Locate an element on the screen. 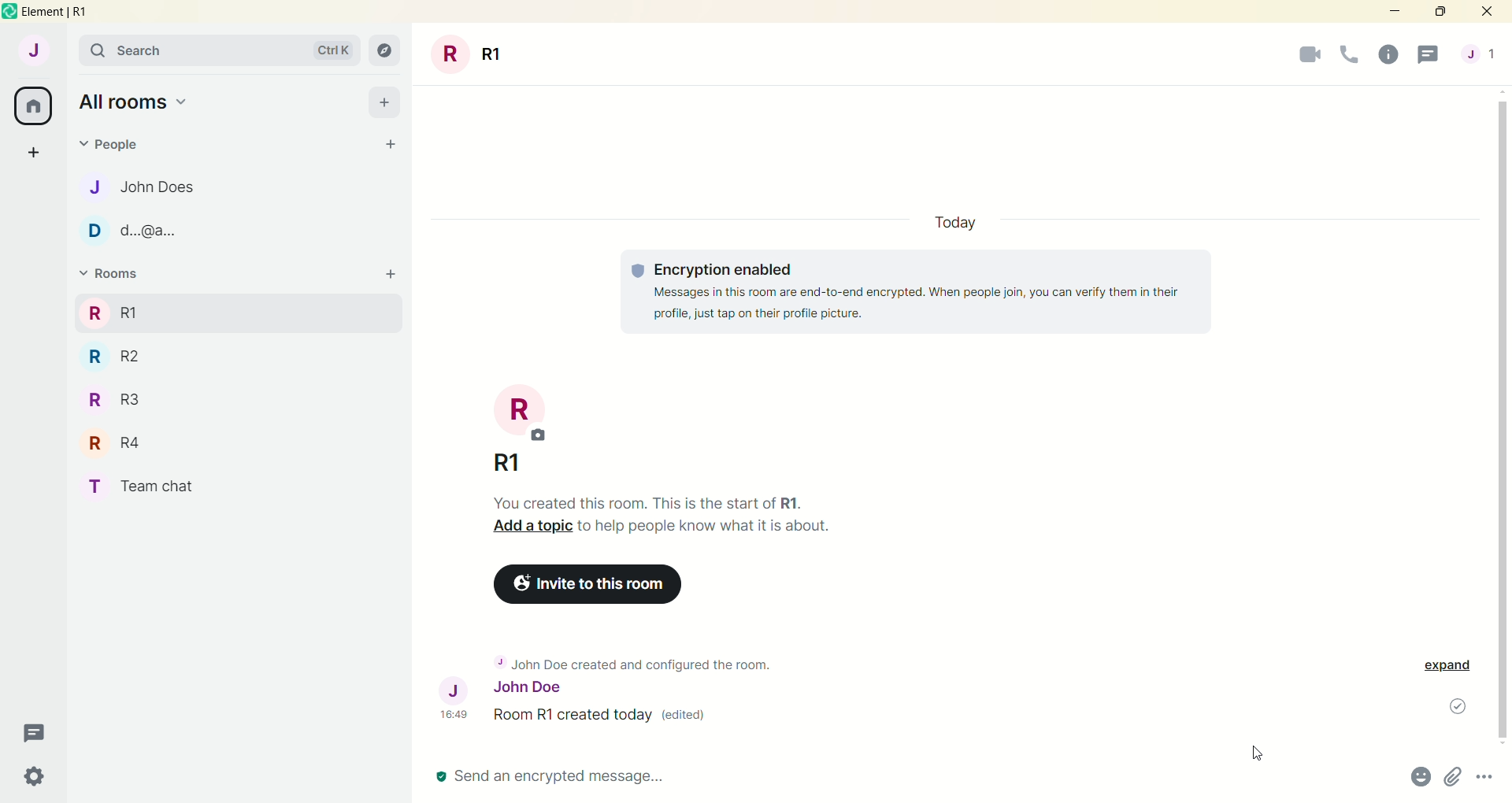 The image size is (1512, 803). close is located at coordinates (1490, 12).